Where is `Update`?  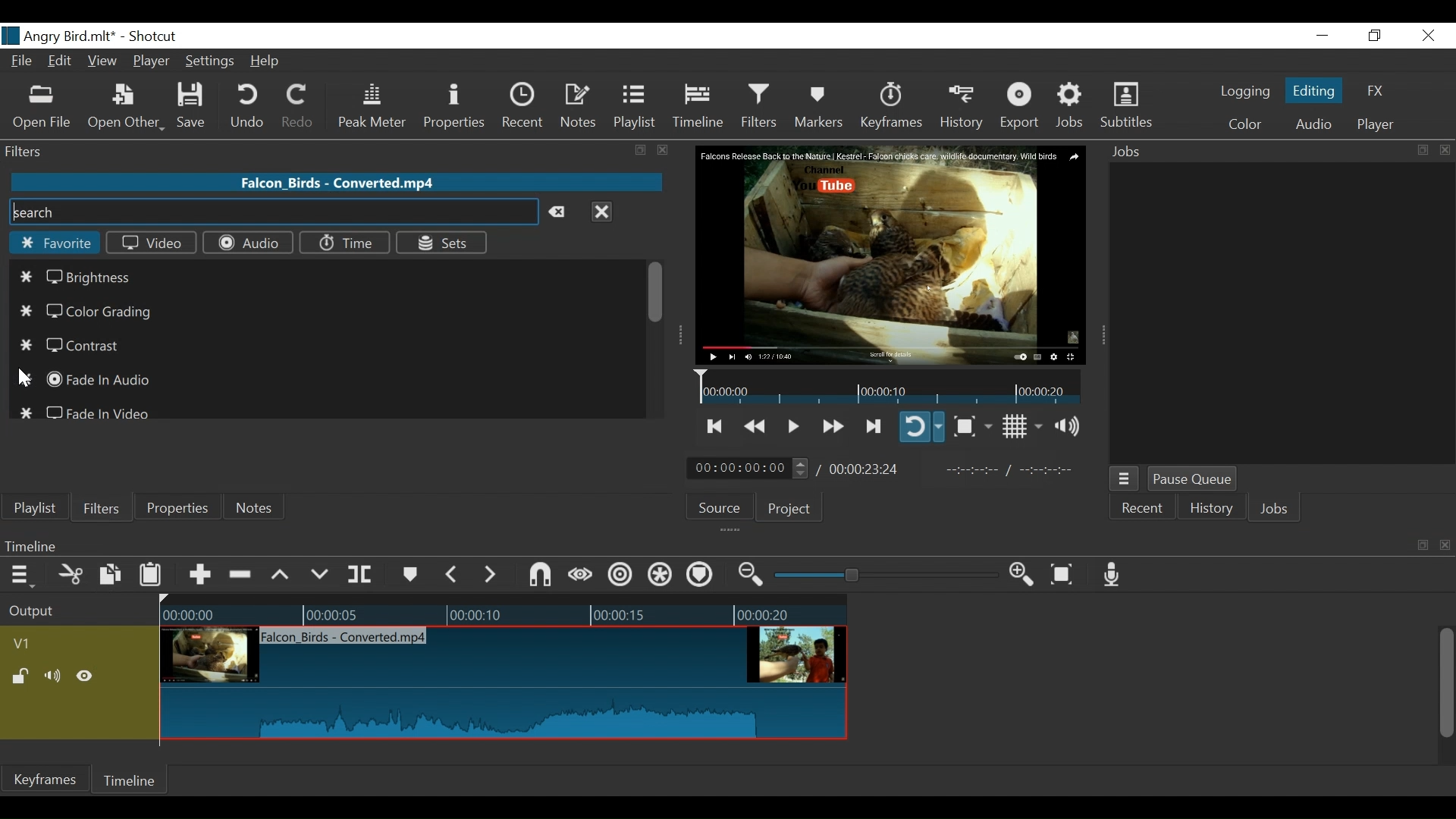 Update is located at coordinates (193, 472).